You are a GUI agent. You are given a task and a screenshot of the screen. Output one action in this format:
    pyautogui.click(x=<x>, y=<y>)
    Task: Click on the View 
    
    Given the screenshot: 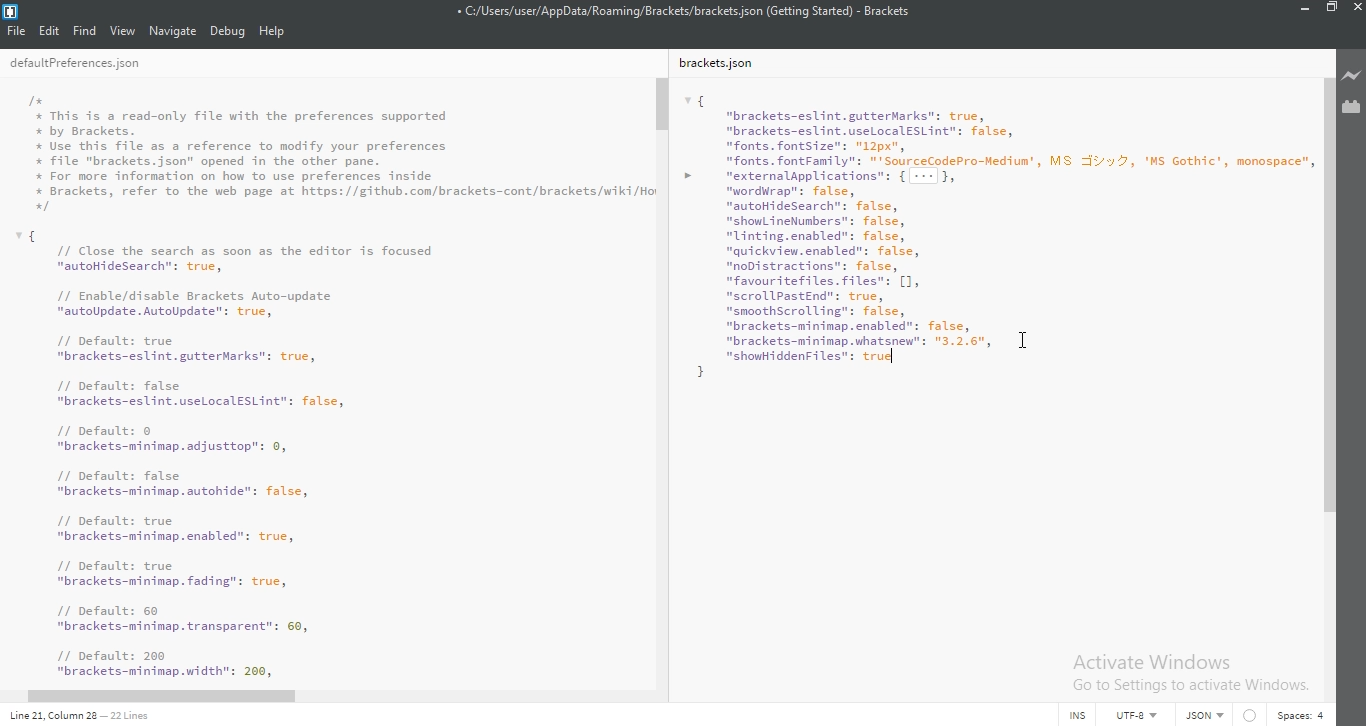 What is the action you would take?
    pyautogui.click(x=123, y=30)
    